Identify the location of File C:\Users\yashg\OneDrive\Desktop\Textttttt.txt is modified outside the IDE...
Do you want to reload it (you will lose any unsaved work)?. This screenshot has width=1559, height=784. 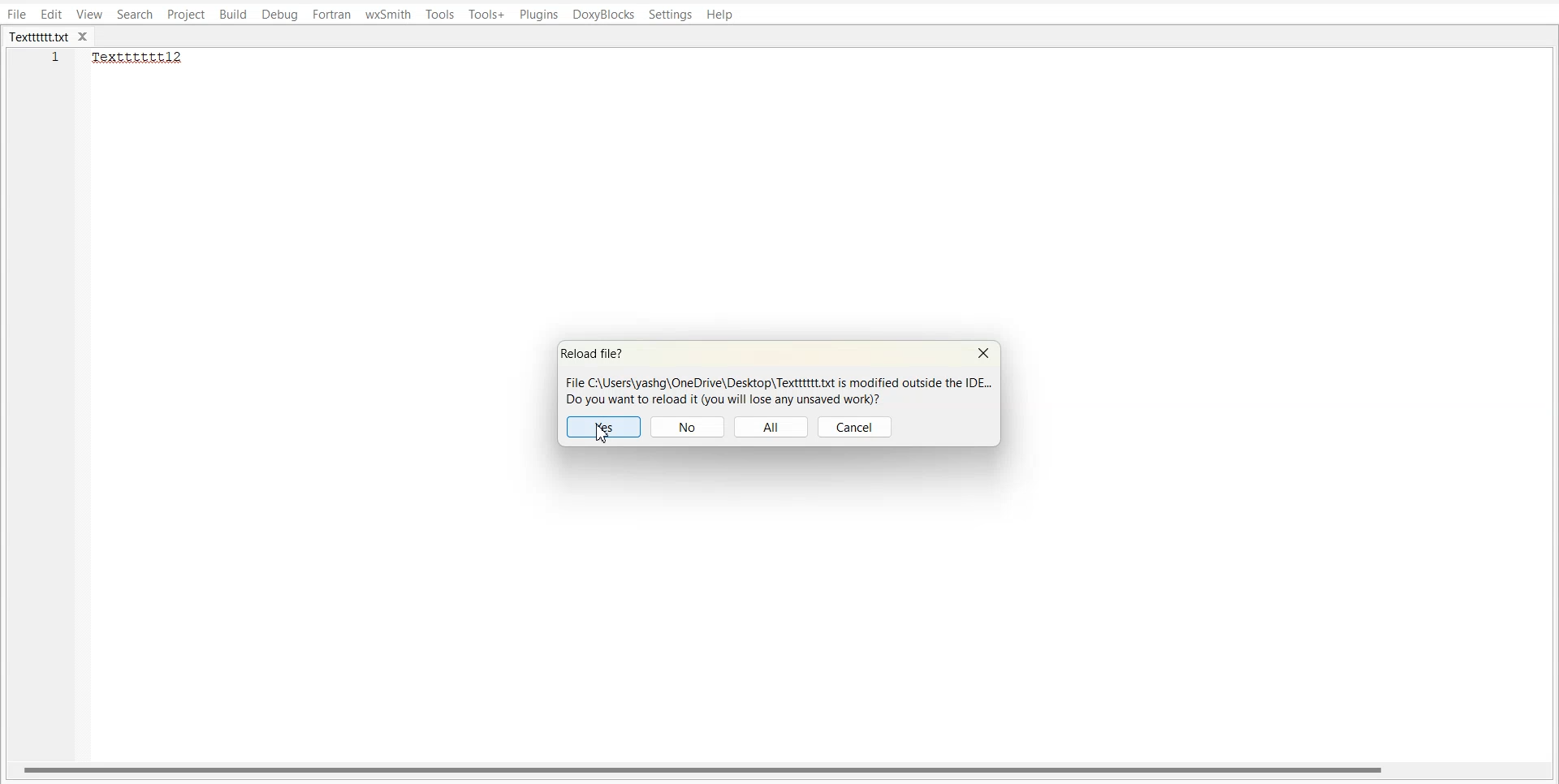
(776, 390).